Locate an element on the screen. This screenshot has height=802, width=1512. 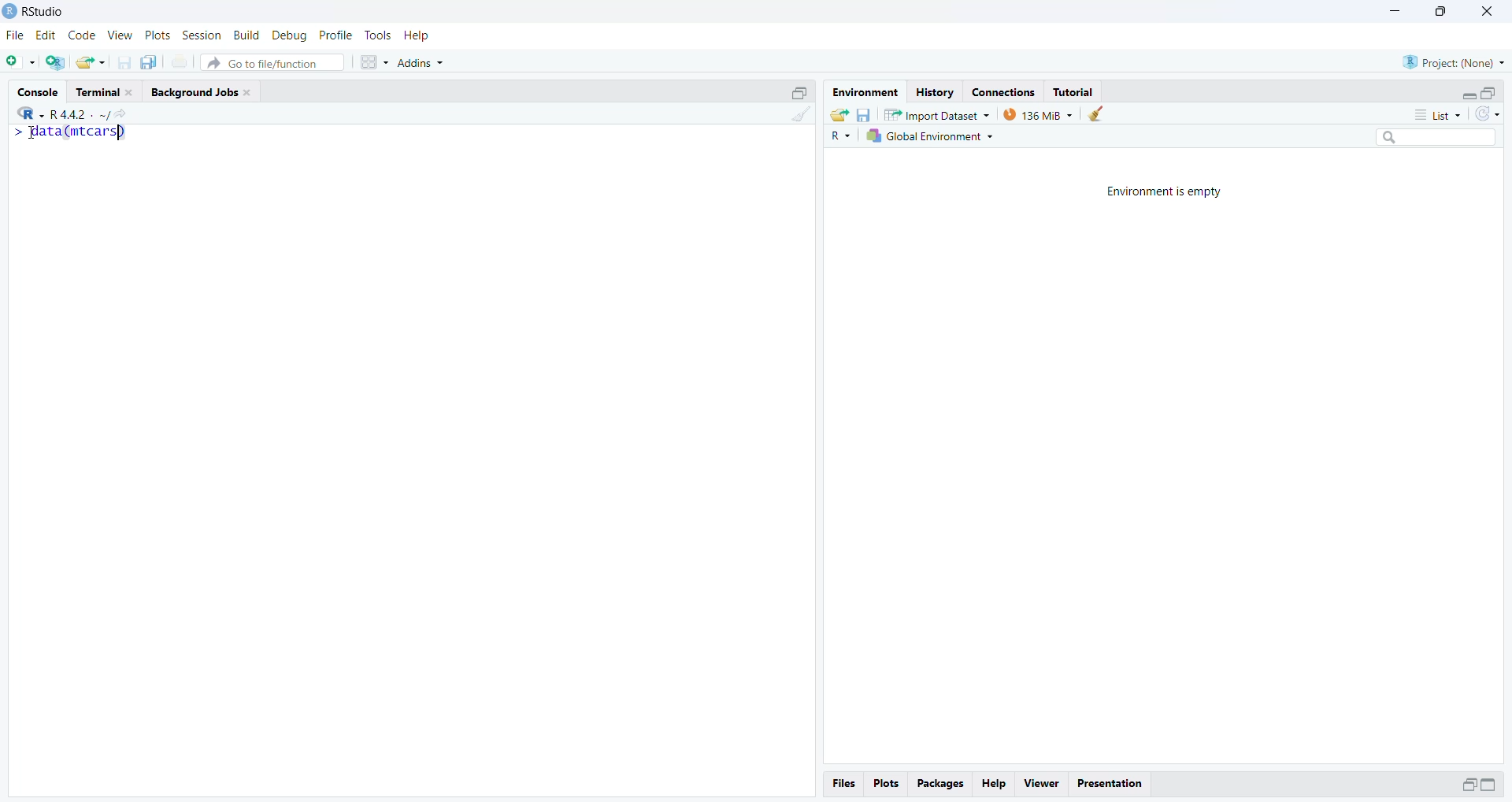
RStudio is located at coordinates (42, 12).